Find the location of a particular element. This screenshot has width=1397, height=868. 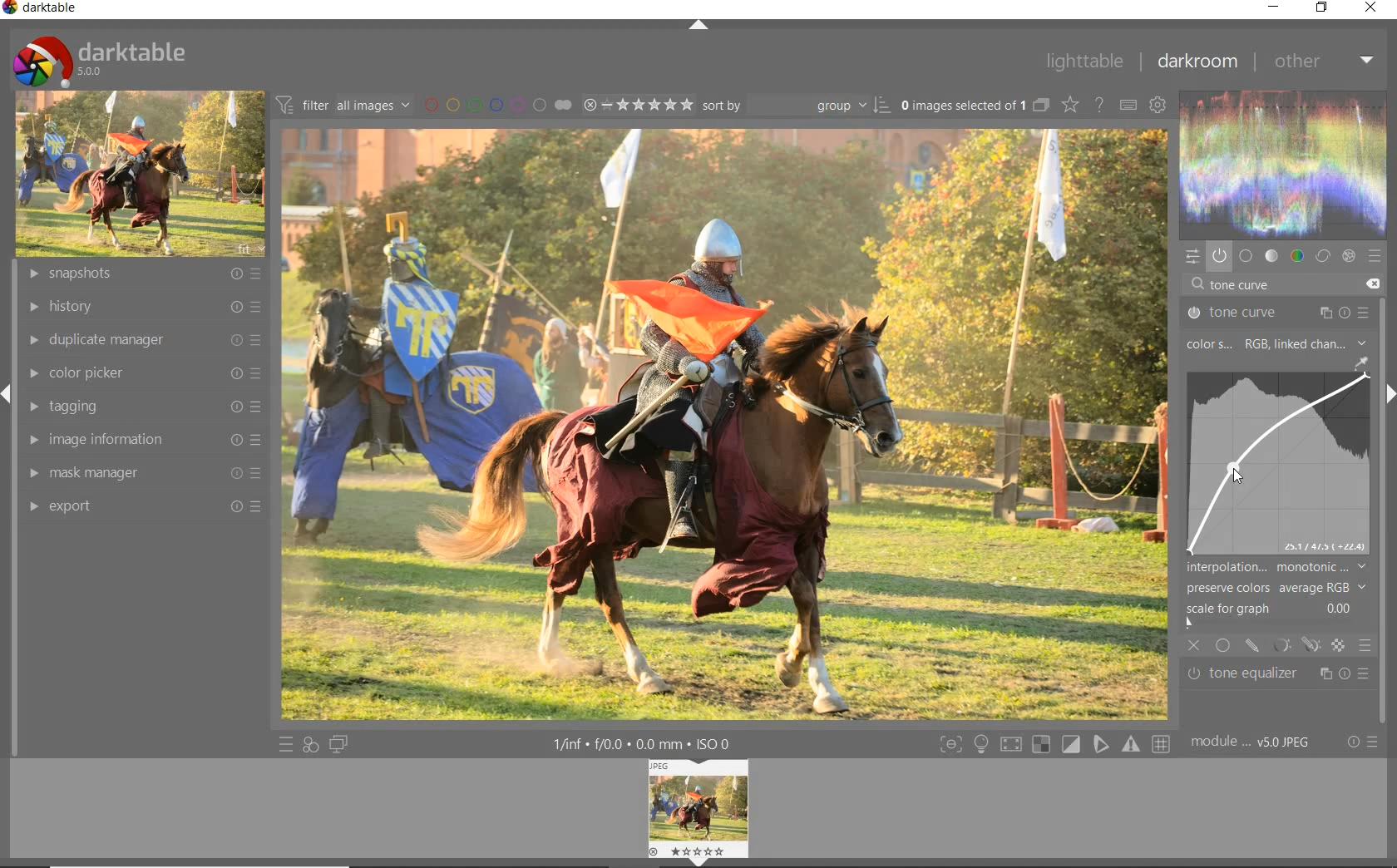

preserve colors is located at coordinates (1276, 588).